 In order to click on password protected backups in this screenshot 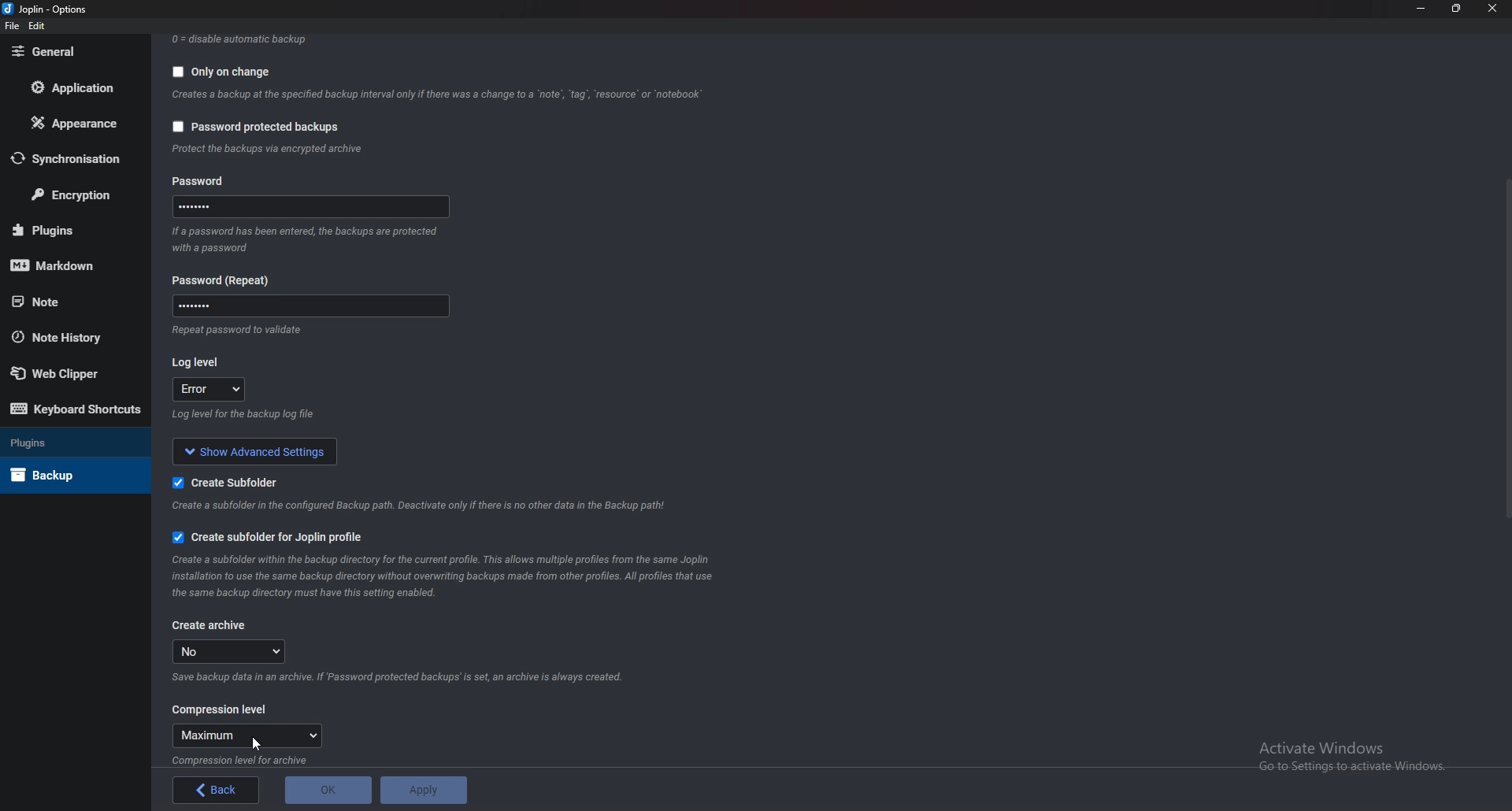, I will do `click(257, 130)`.